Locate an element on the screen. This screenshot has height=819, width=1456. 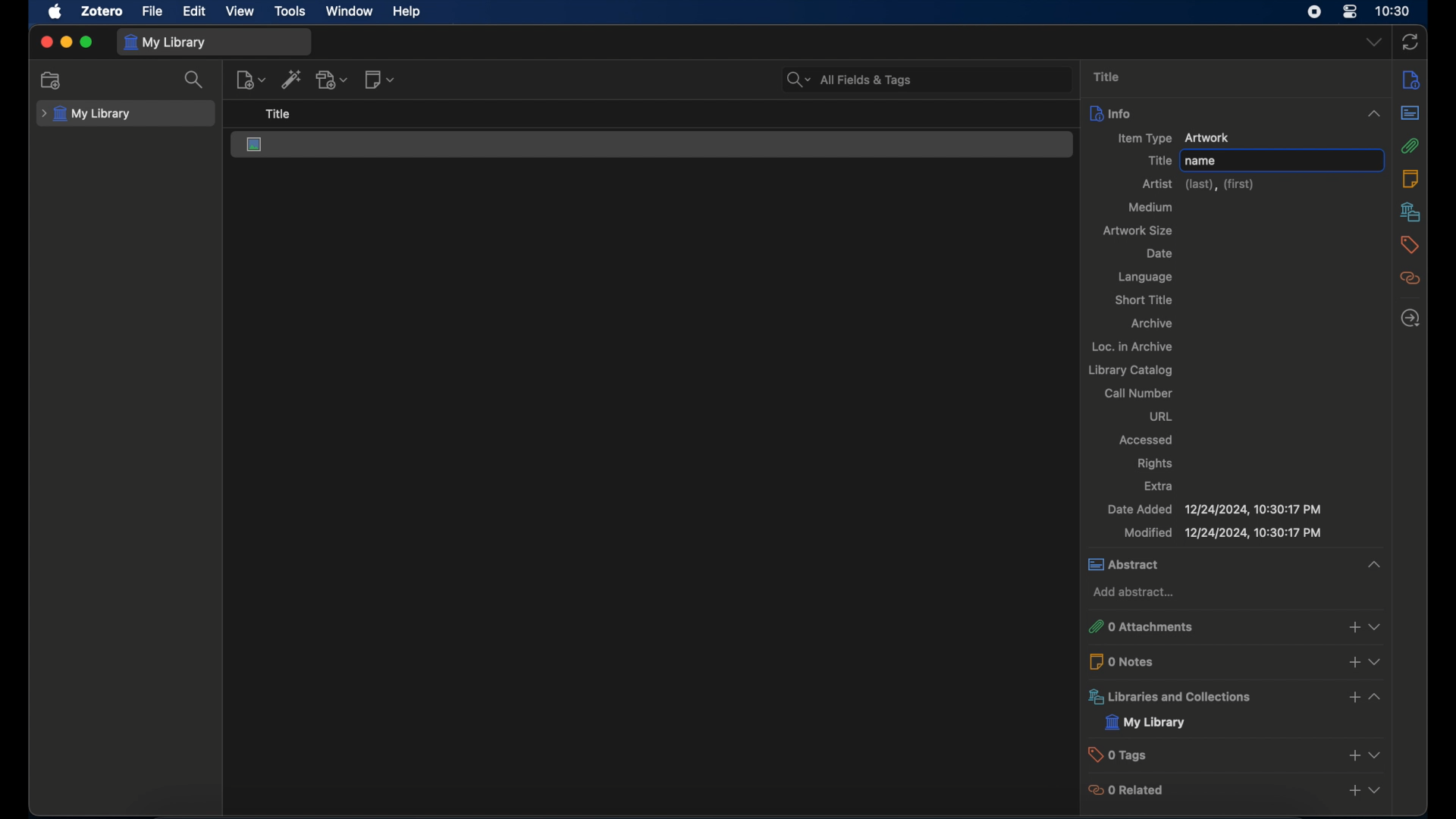
my library is located at coordinates (1147, 722).